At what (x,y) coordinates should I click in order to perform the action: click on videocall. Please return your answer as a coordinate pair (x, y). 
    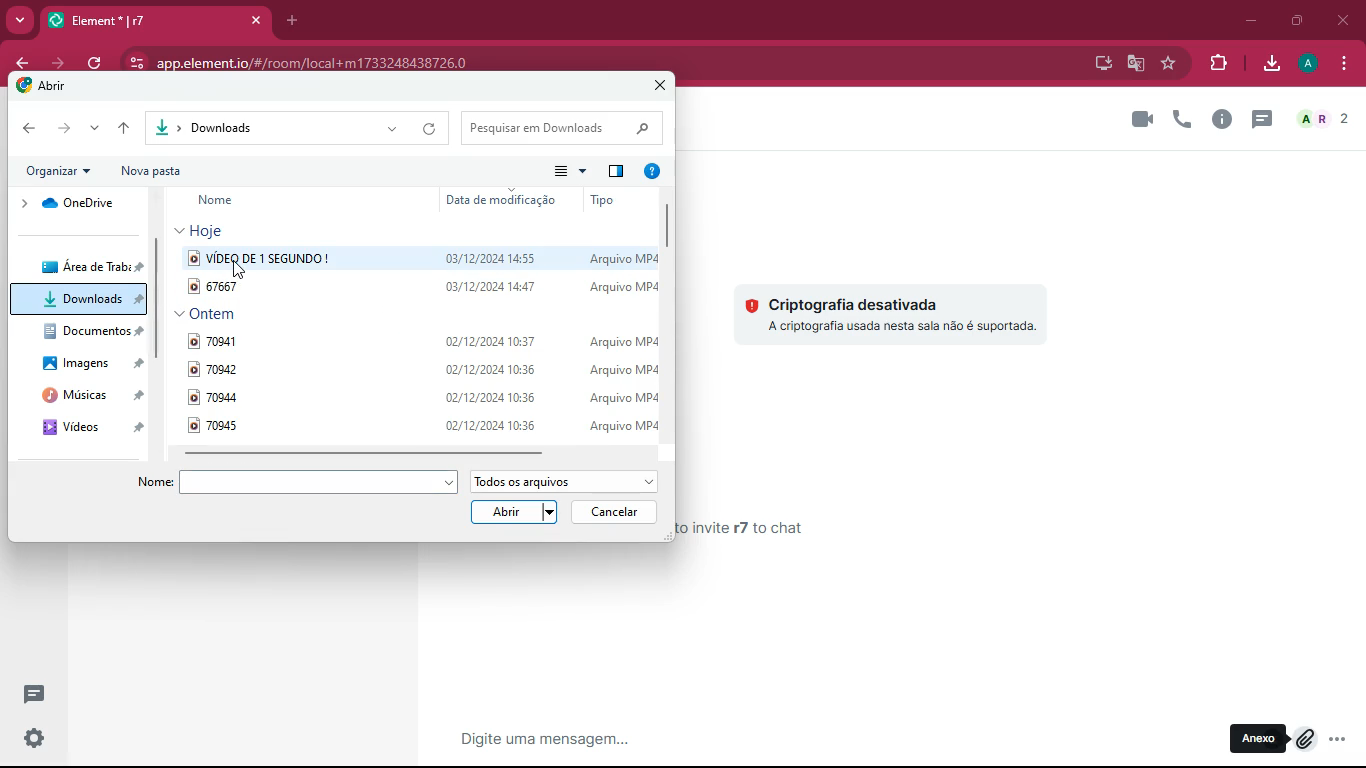
    Looking at the image, I should click on (1142, 118).